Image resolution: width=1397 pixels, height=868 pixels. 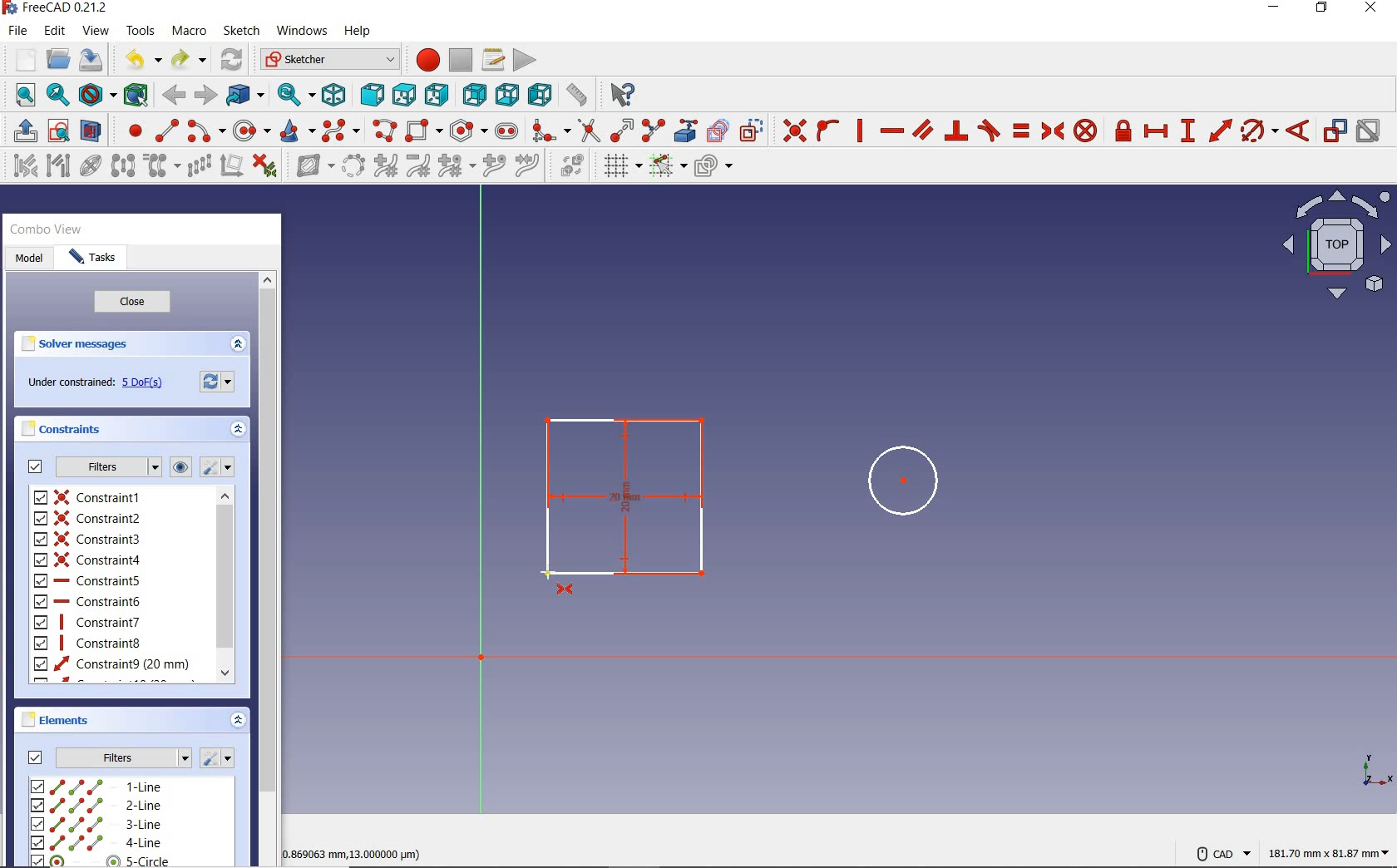 I want to click on constrain parallel, so click(x=923, y=129).